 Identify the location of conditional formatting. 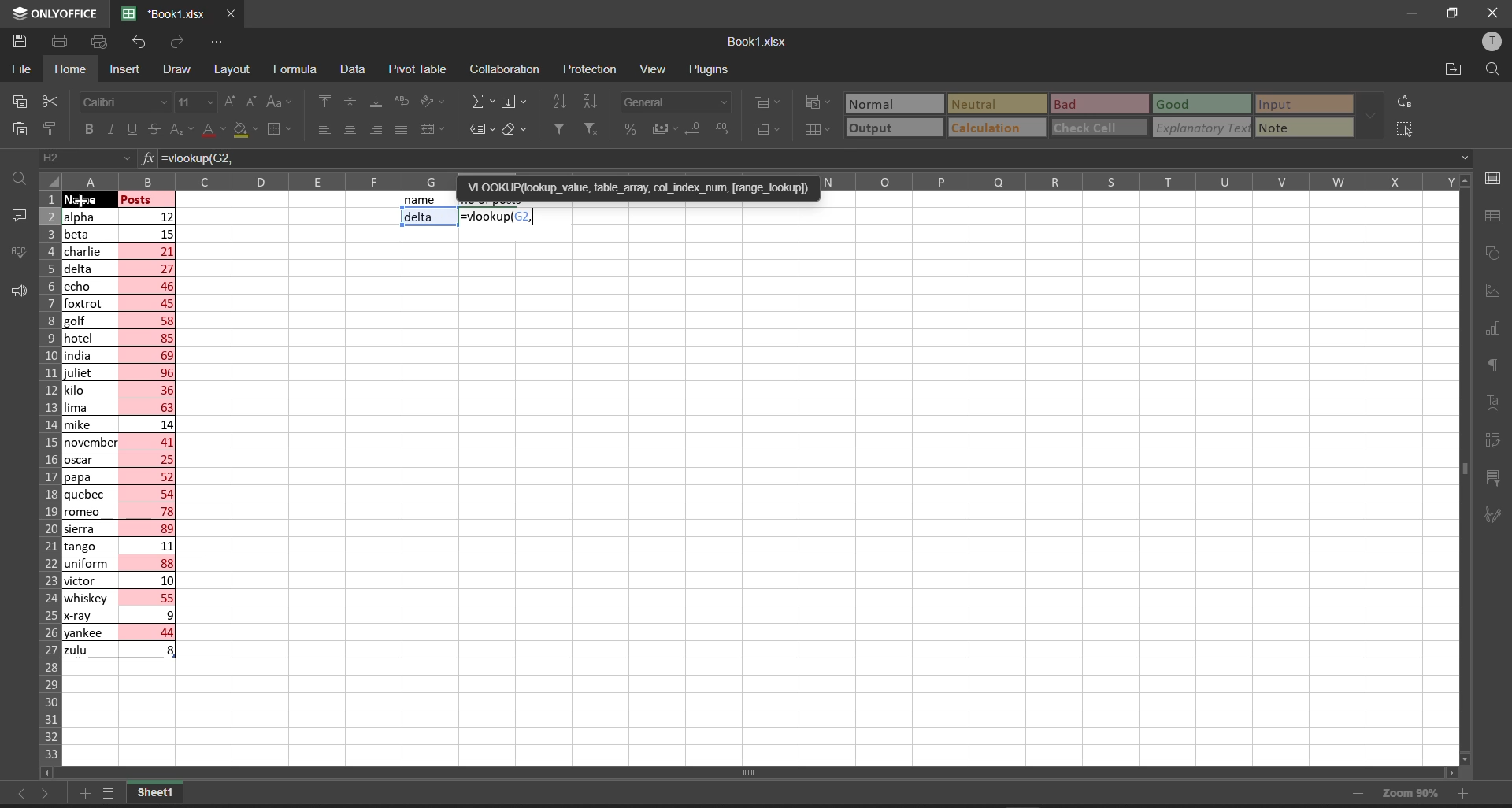
(817, 101).